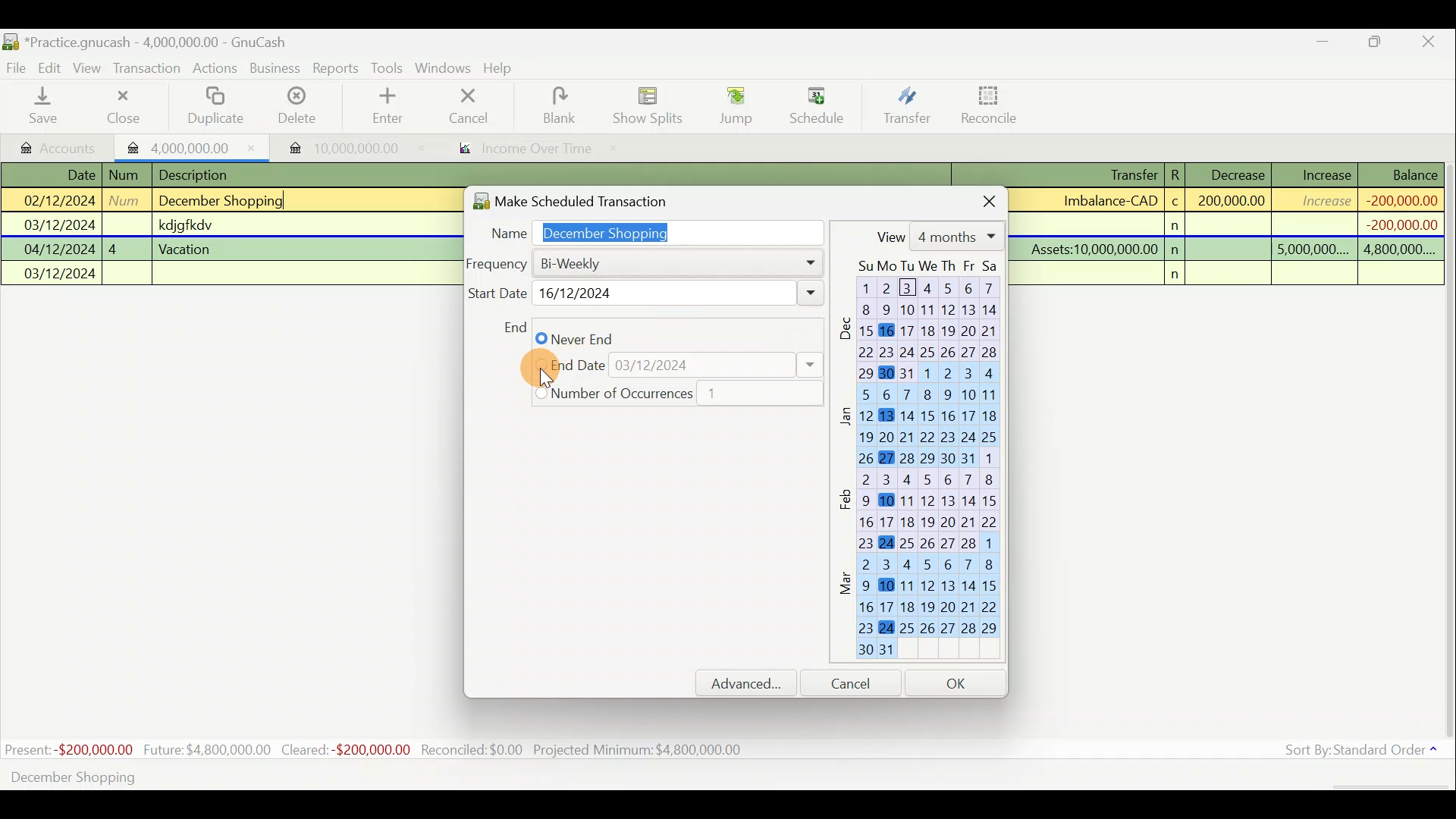 Image resolution: width=1456 pixels, height=819 pixels. Describe the element at coordinates (376, 750) in the screenshot. I see `Statistics` at that location.